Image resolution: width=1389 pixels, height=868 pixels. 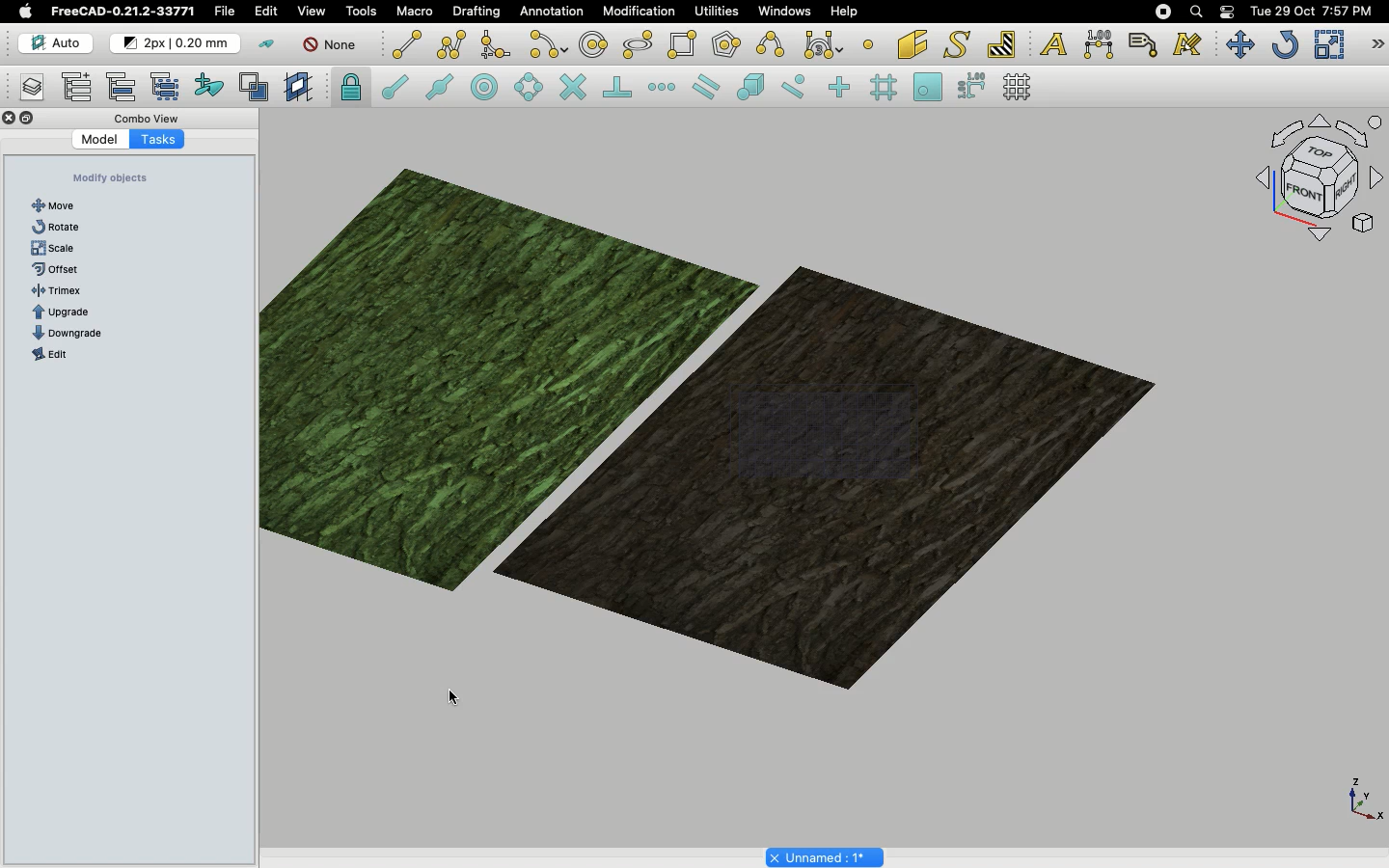 What do you see at coordinates (1188, 44) in the screenshot?
I see `Annotation styles` at bounding box center [1188, 44].